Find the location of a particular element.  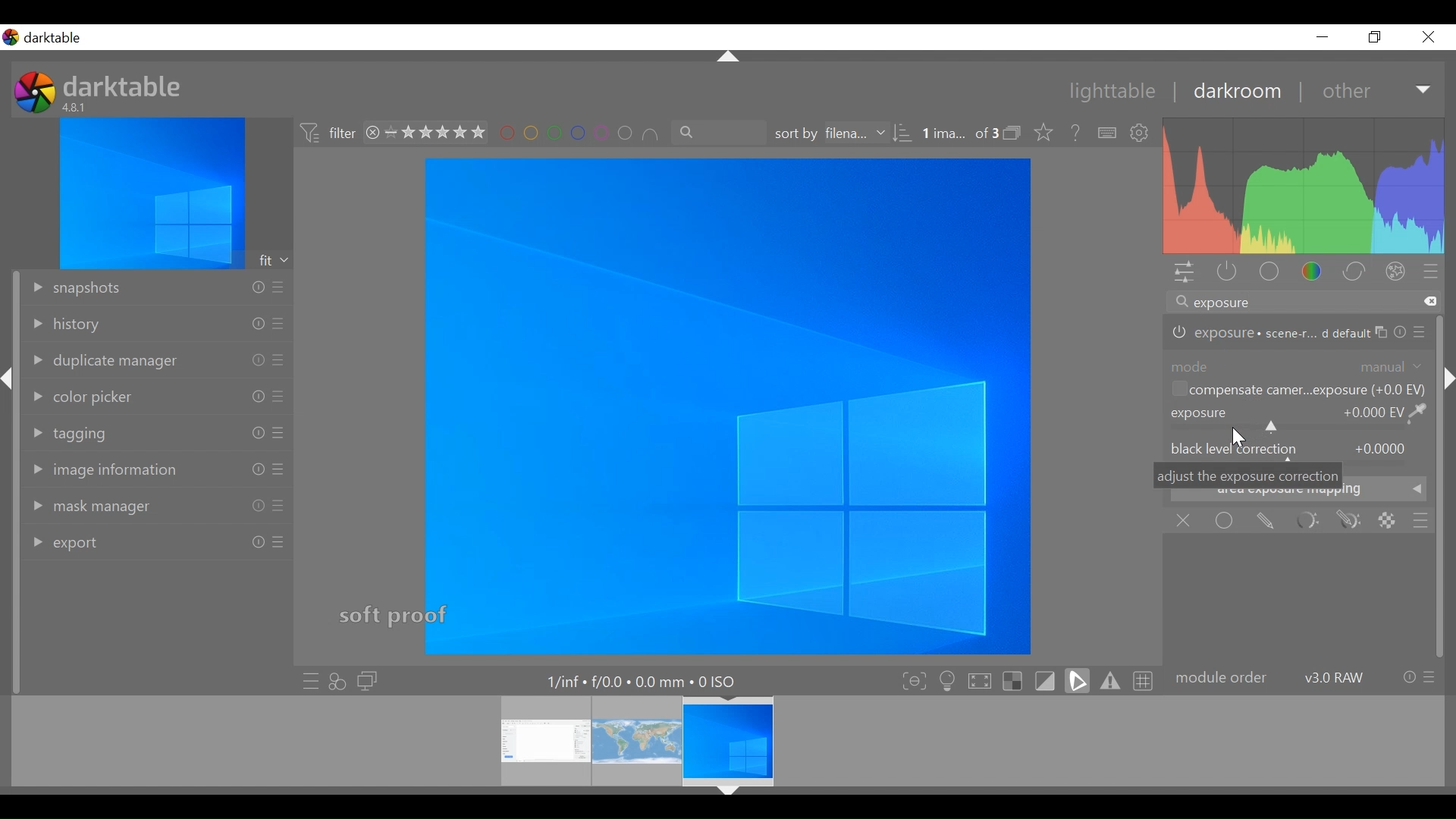

close is located at coordinates (372, 133).